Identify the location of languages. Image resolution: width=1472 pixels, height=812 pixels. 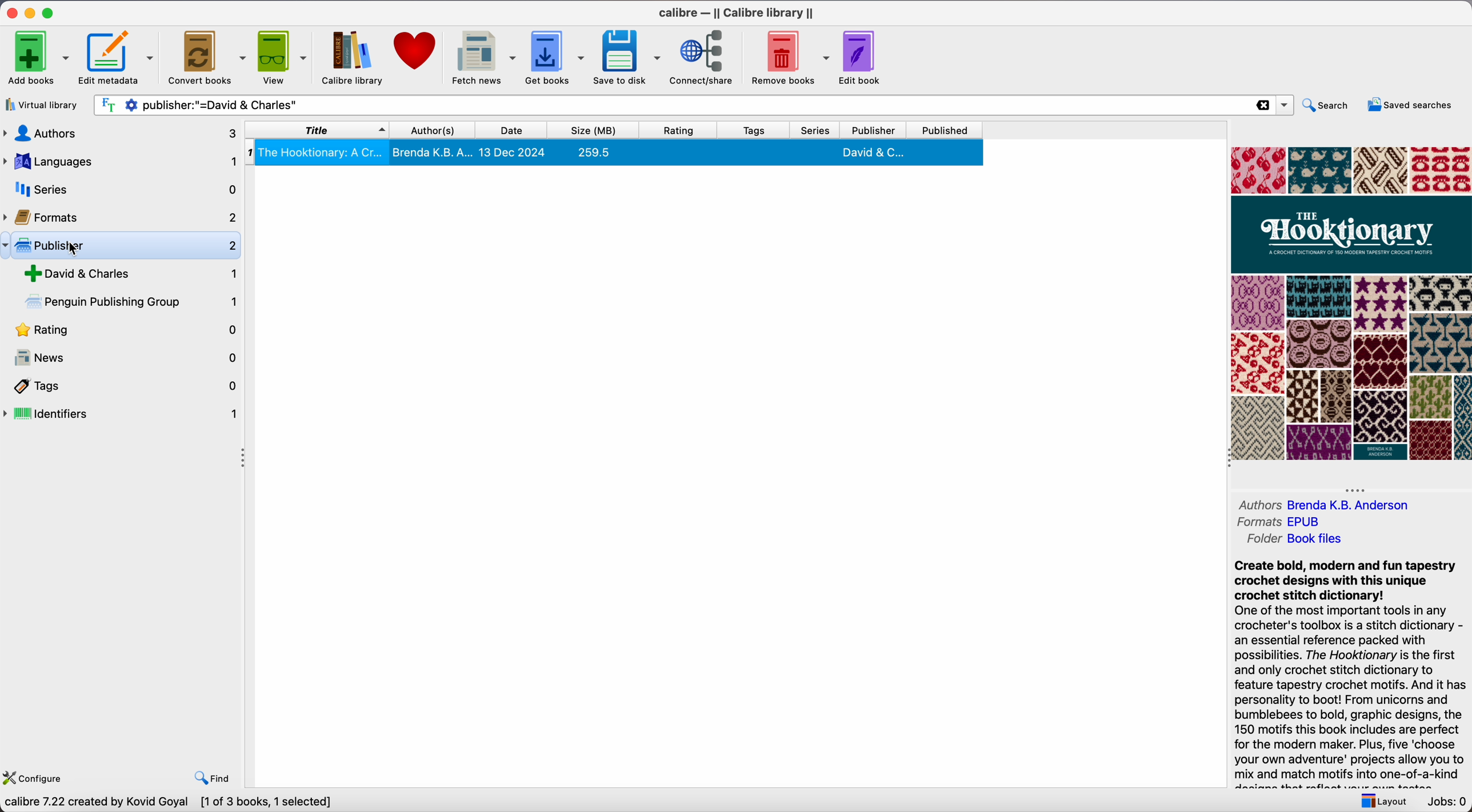
(119, 162).